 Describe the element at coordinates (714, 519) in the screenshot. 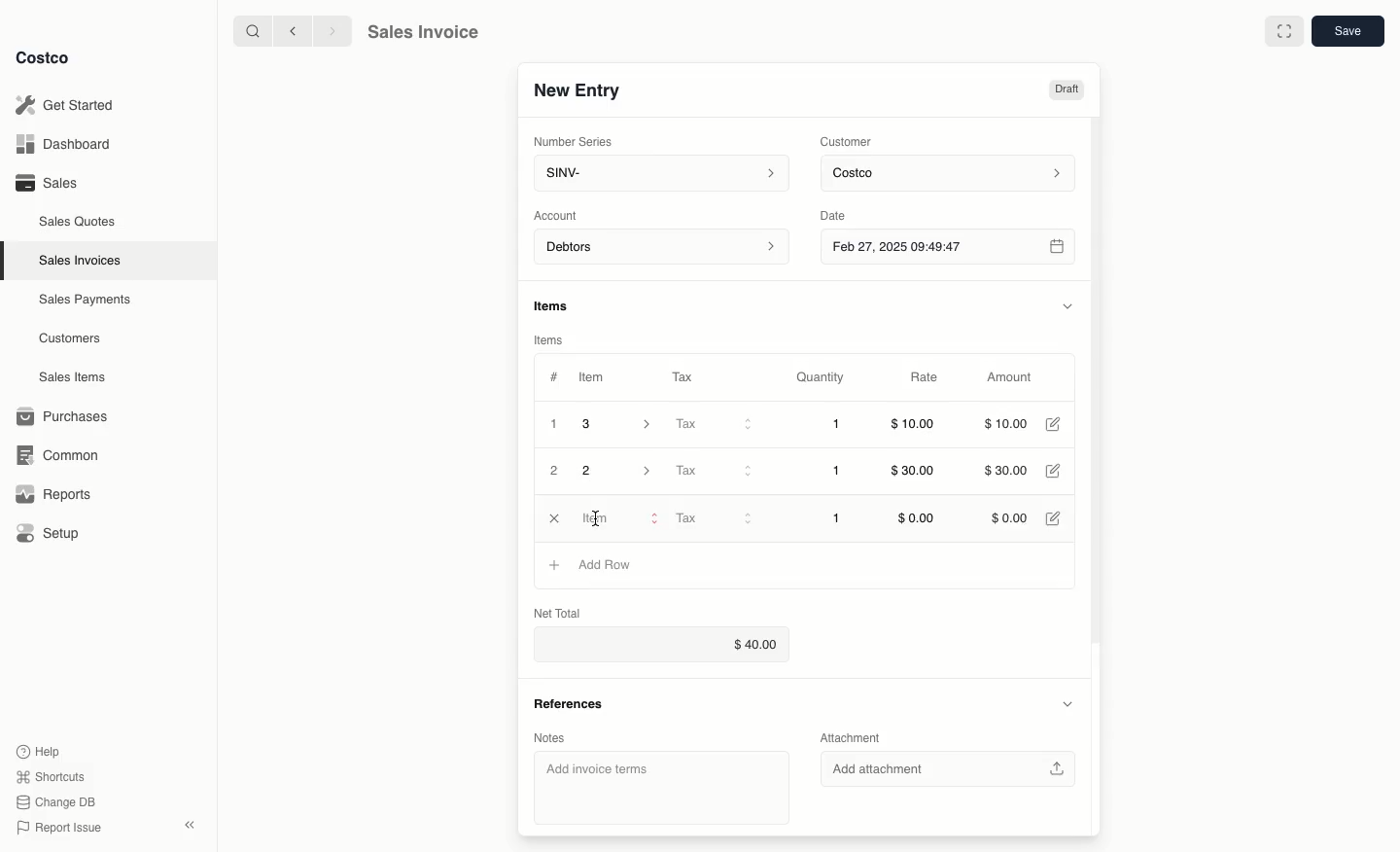

I see `Tax` at that location.